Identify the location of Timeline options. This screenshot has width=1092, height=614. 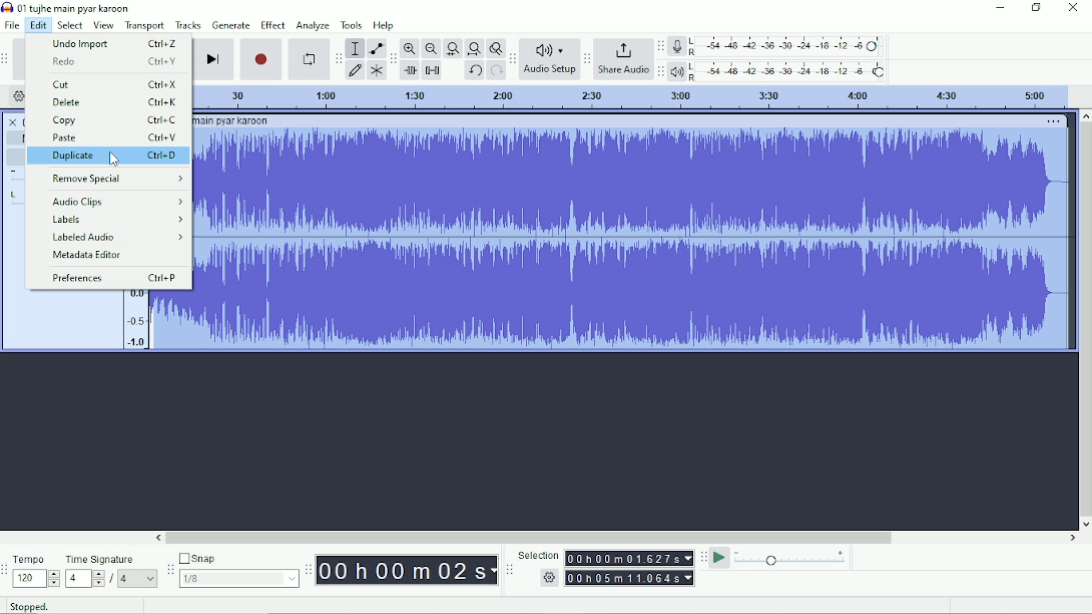
(18, 96).